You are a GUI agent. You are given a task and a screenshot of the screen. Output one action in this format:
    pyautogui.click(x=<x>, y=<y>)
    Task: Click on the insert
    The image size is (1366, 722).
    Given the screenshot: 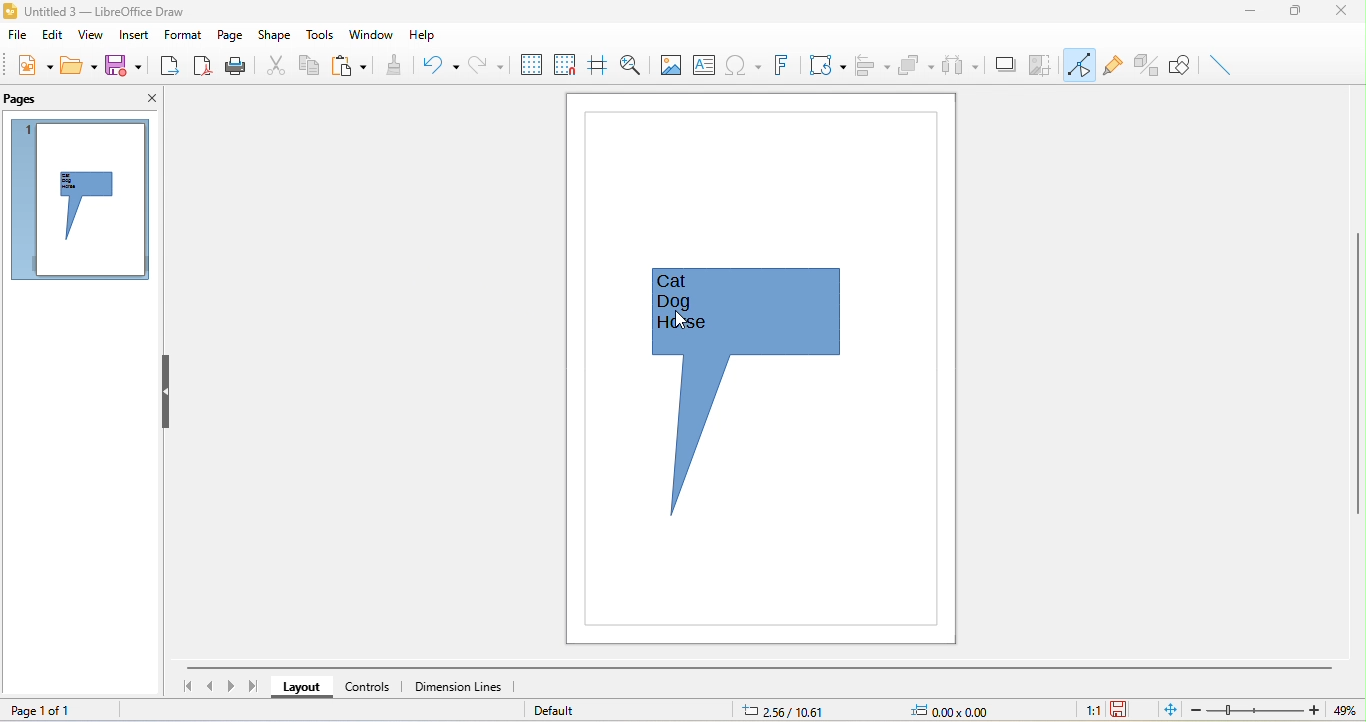 What is the action you would take?
    pyautogui.click(x=133, y=35)
    